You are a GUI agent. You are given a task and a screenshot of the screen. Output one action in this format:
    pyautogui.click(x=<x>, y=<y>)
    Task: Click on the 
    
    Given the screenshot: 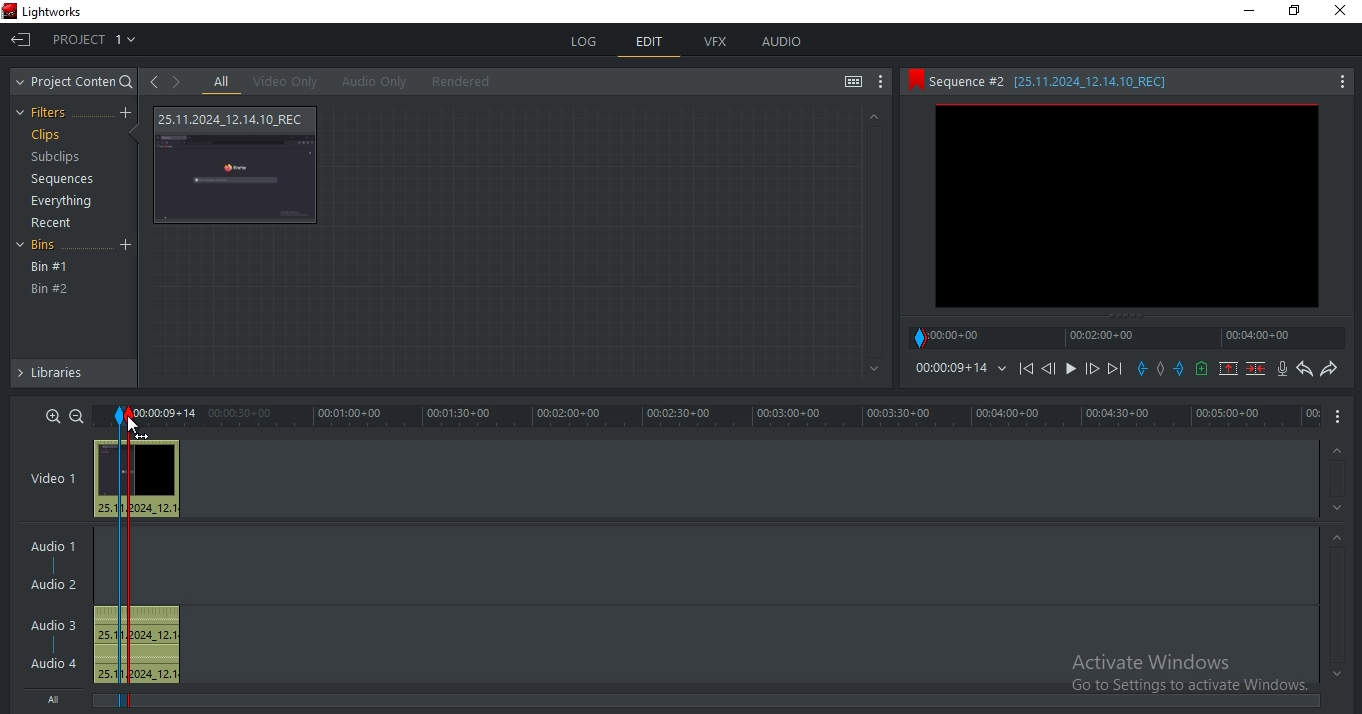 What is the action you would take?
    pyautogui.click(x=855, y=80)
    